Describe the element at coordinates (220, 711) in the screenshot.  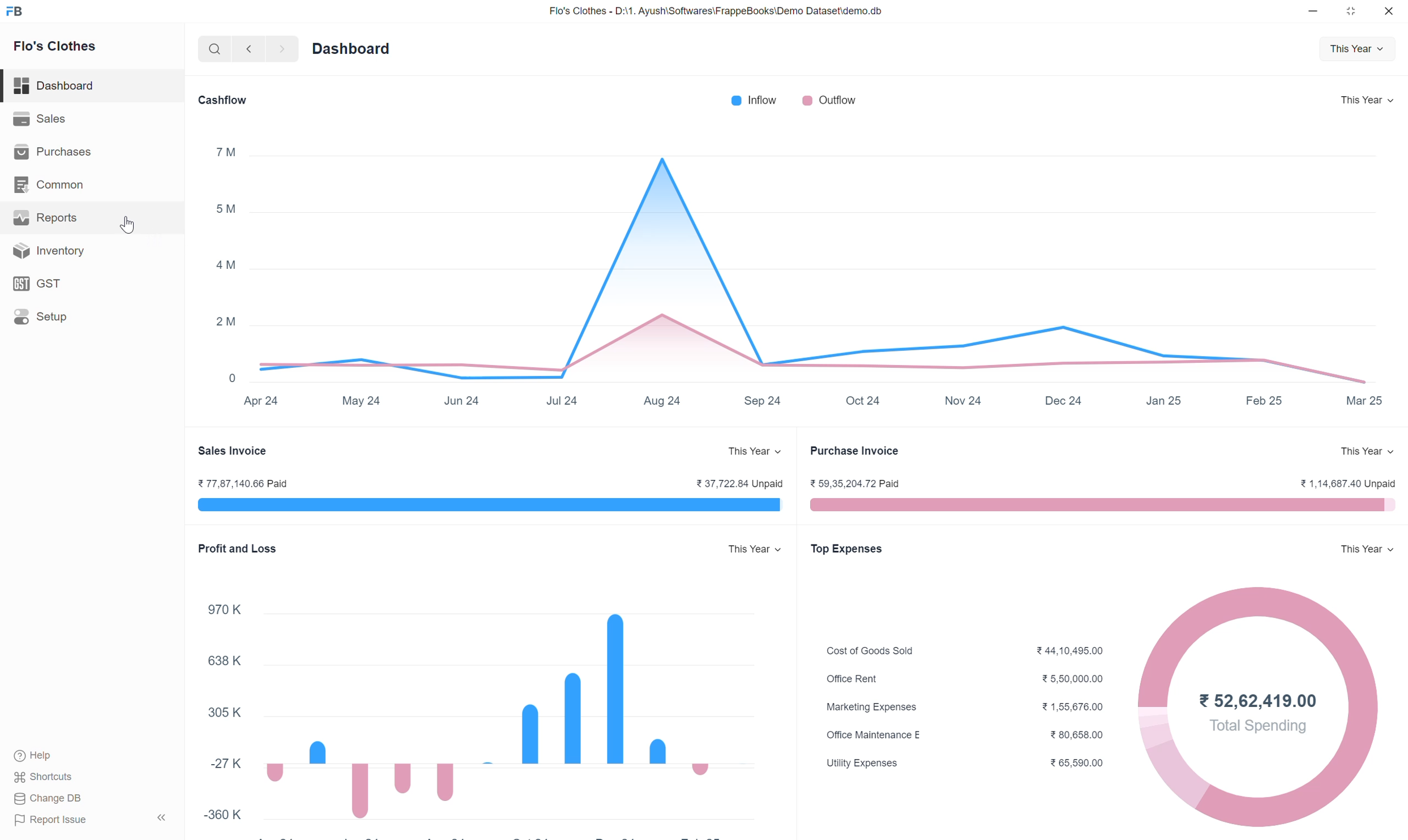
I see `305K` at that location.